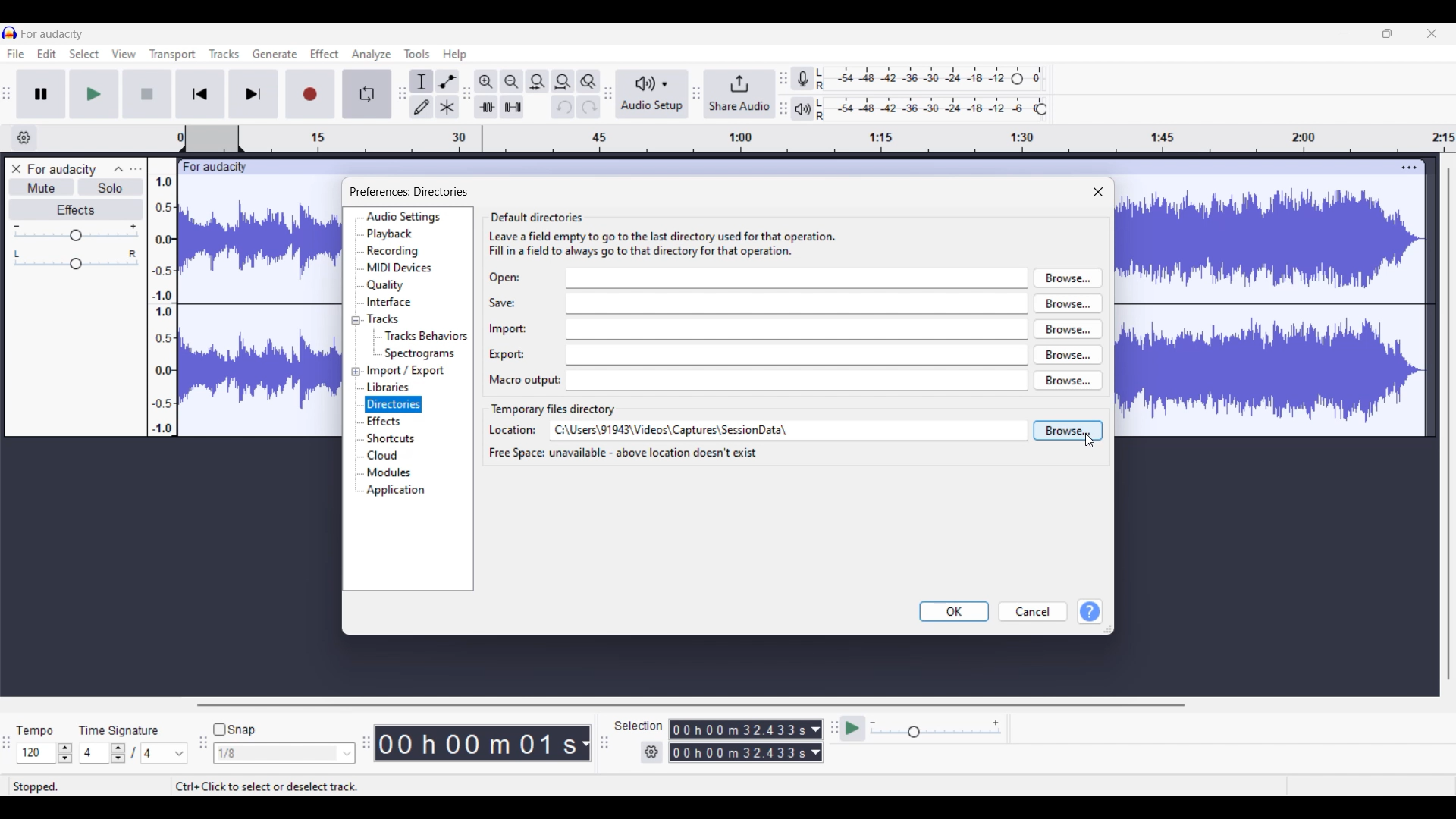 This screenshot has width=1456, height=819. I want to click on Cloud, so click(383, 455).